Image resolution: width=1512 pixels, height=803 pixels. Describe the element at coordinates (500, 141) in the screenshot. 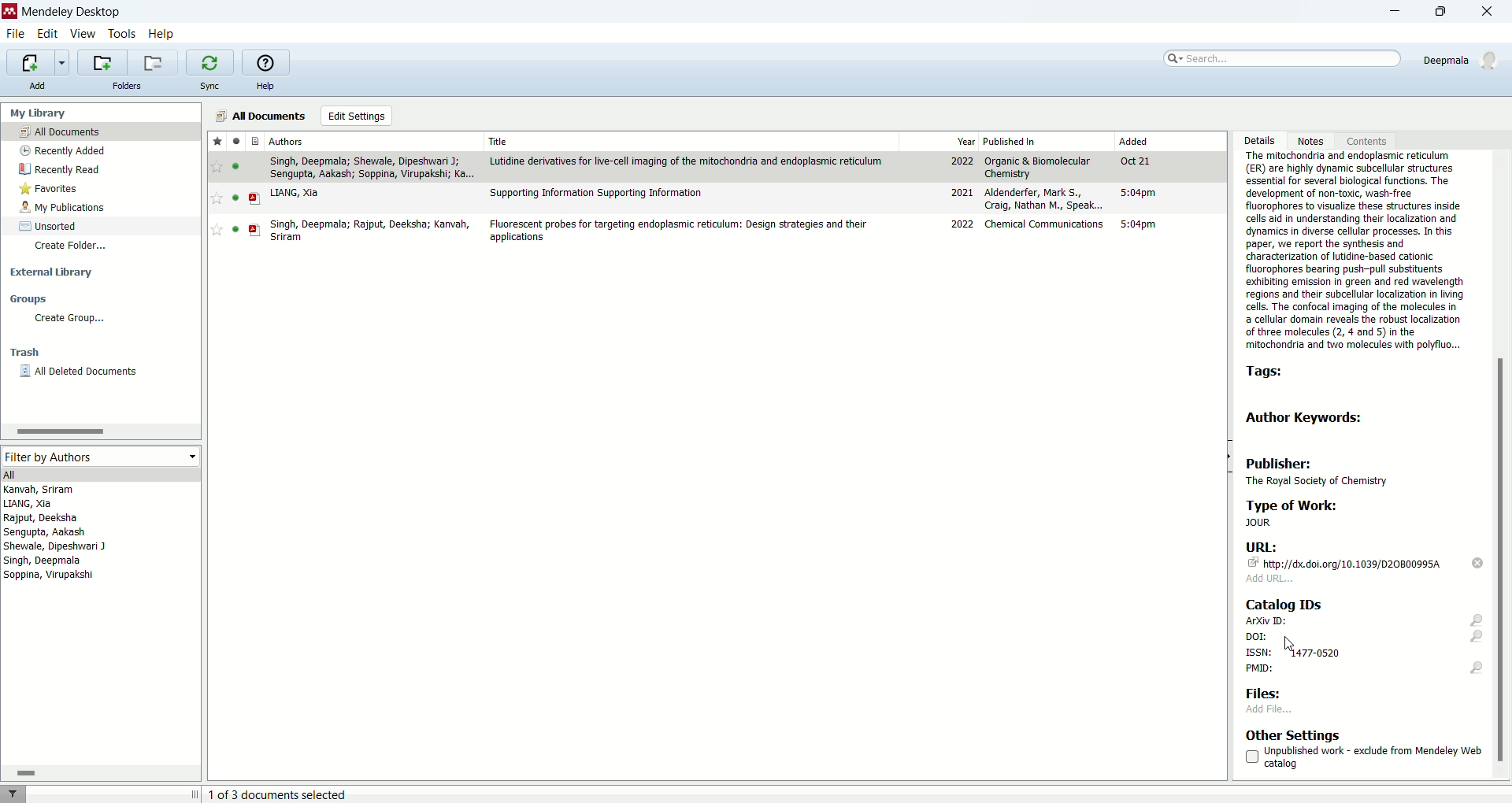

I see `title` at that location.